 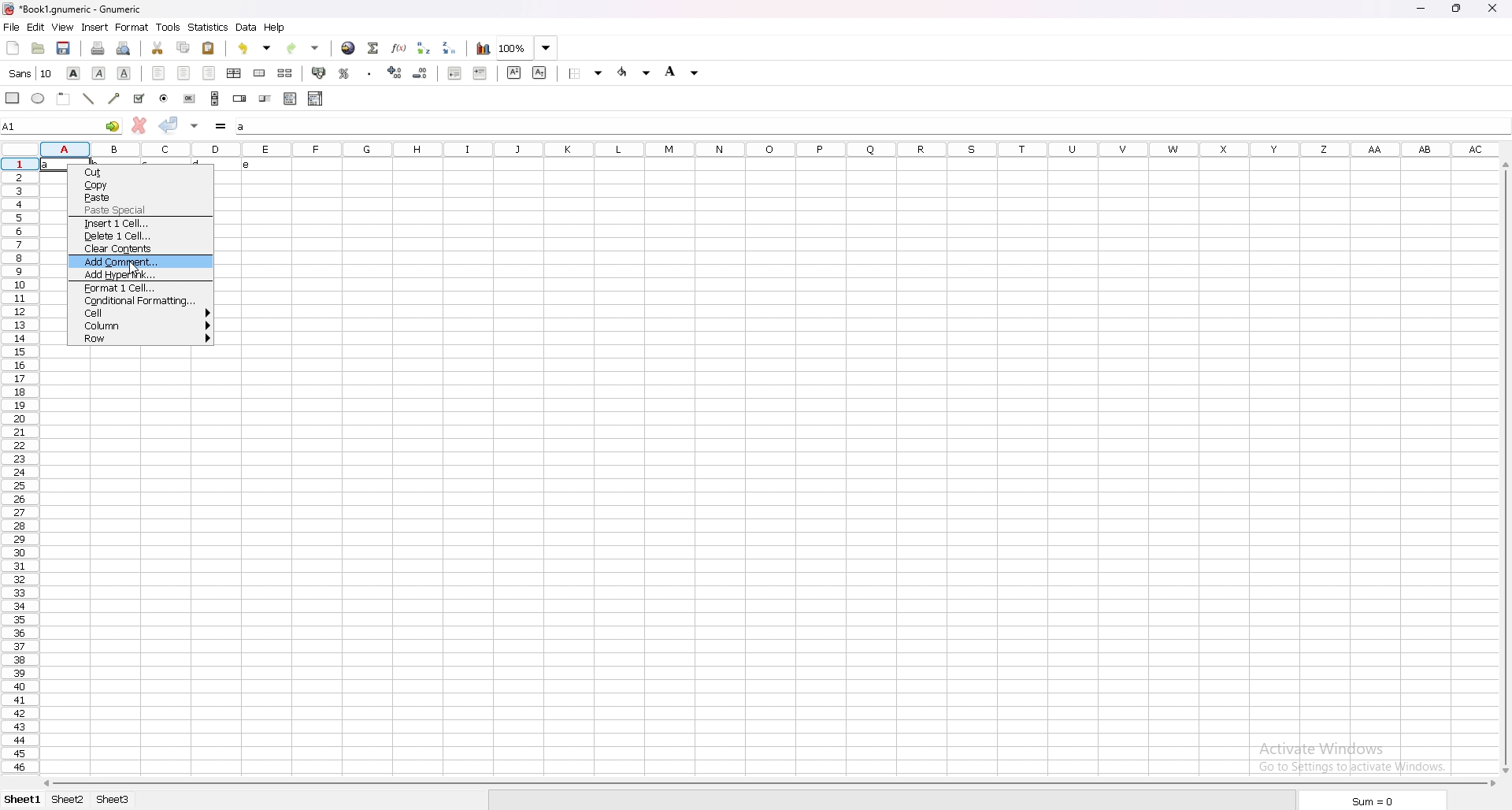 I want to click on underline, so click(x=124, y=73).